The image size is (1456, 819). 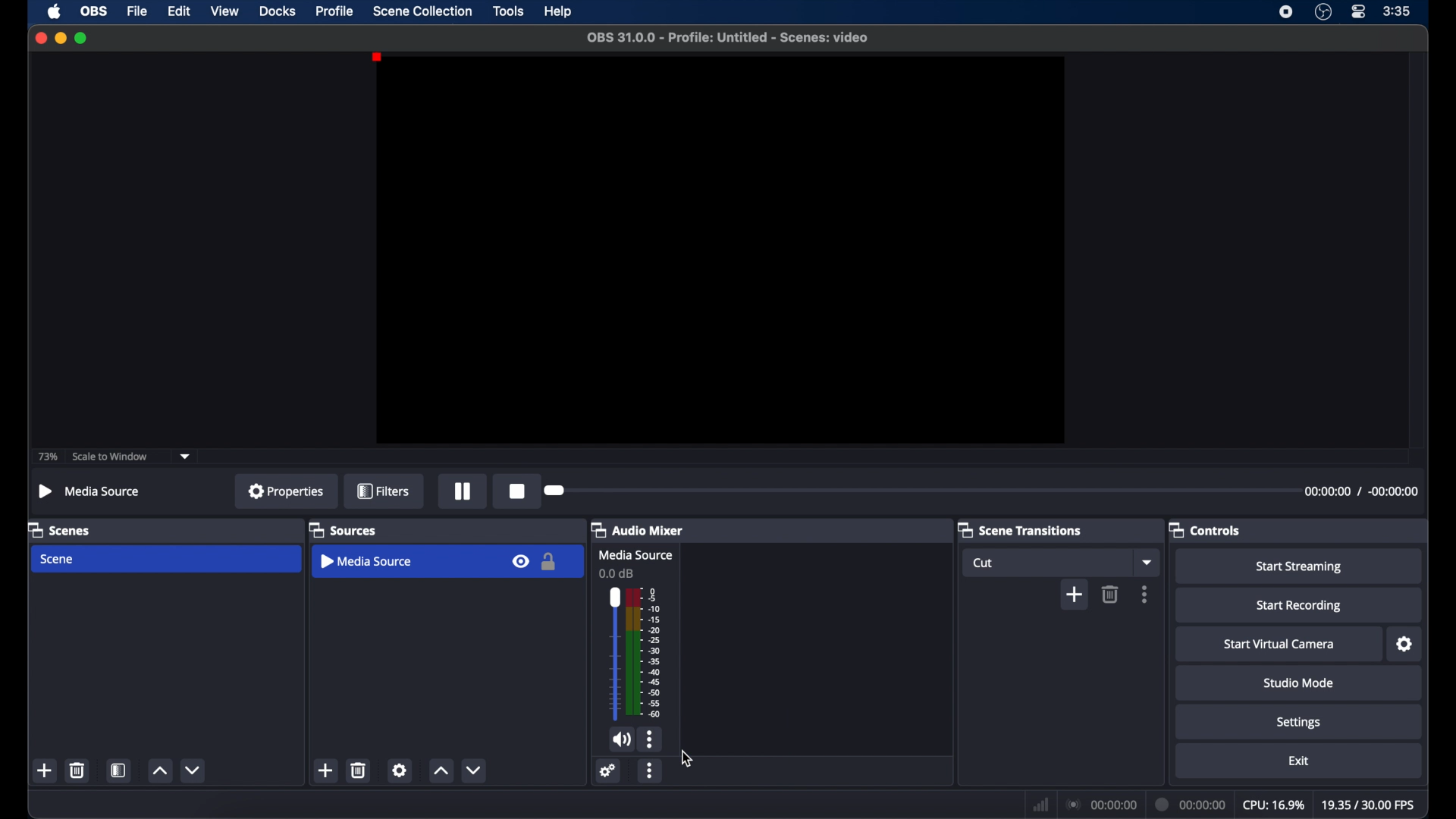 What do you see at coordinates (336, 11) in the screenshot?
I see `profile` at bounding box center [336, 11].